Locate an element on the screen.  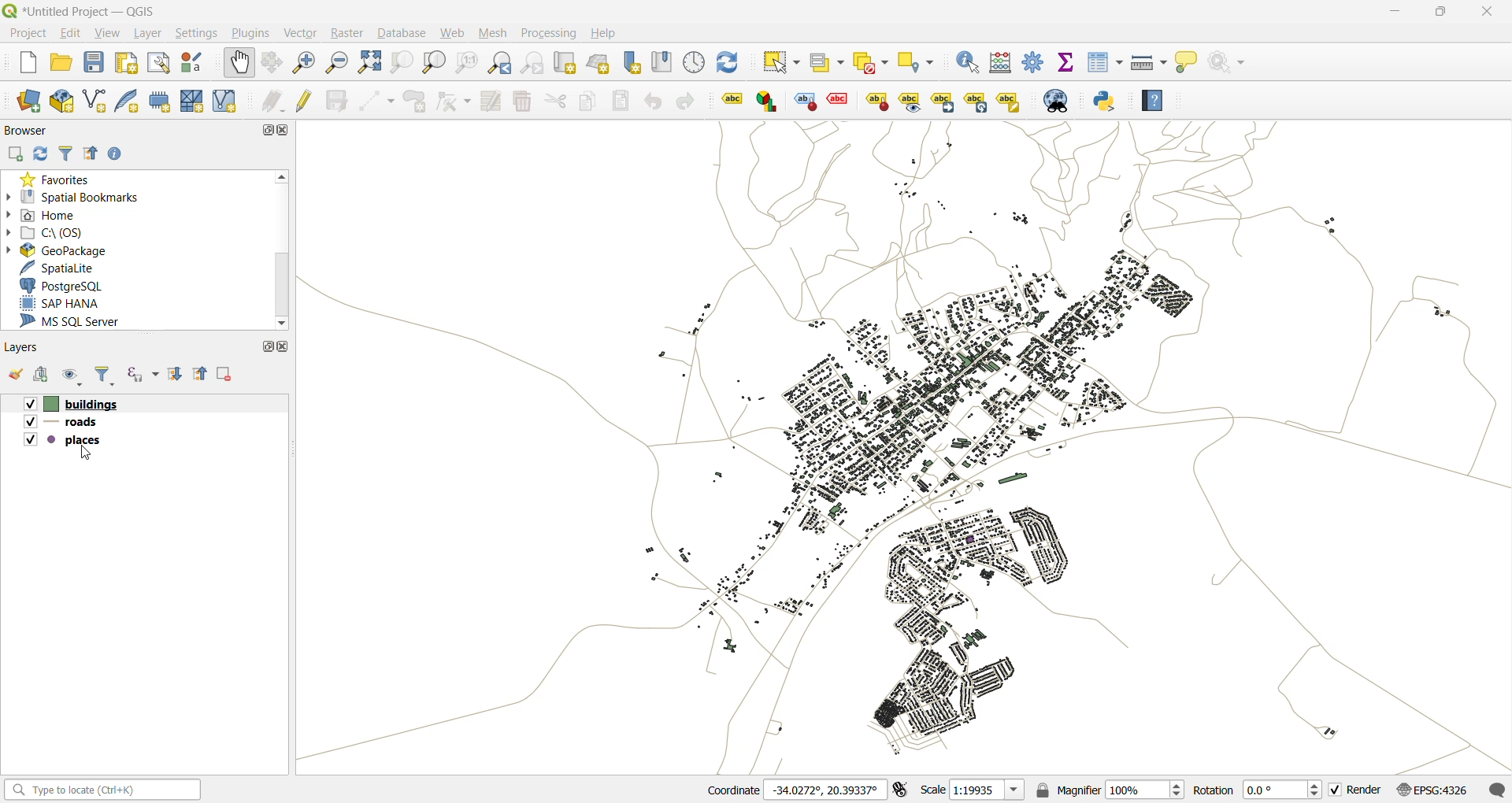
filter by expression is located at coordinates (144, 371).